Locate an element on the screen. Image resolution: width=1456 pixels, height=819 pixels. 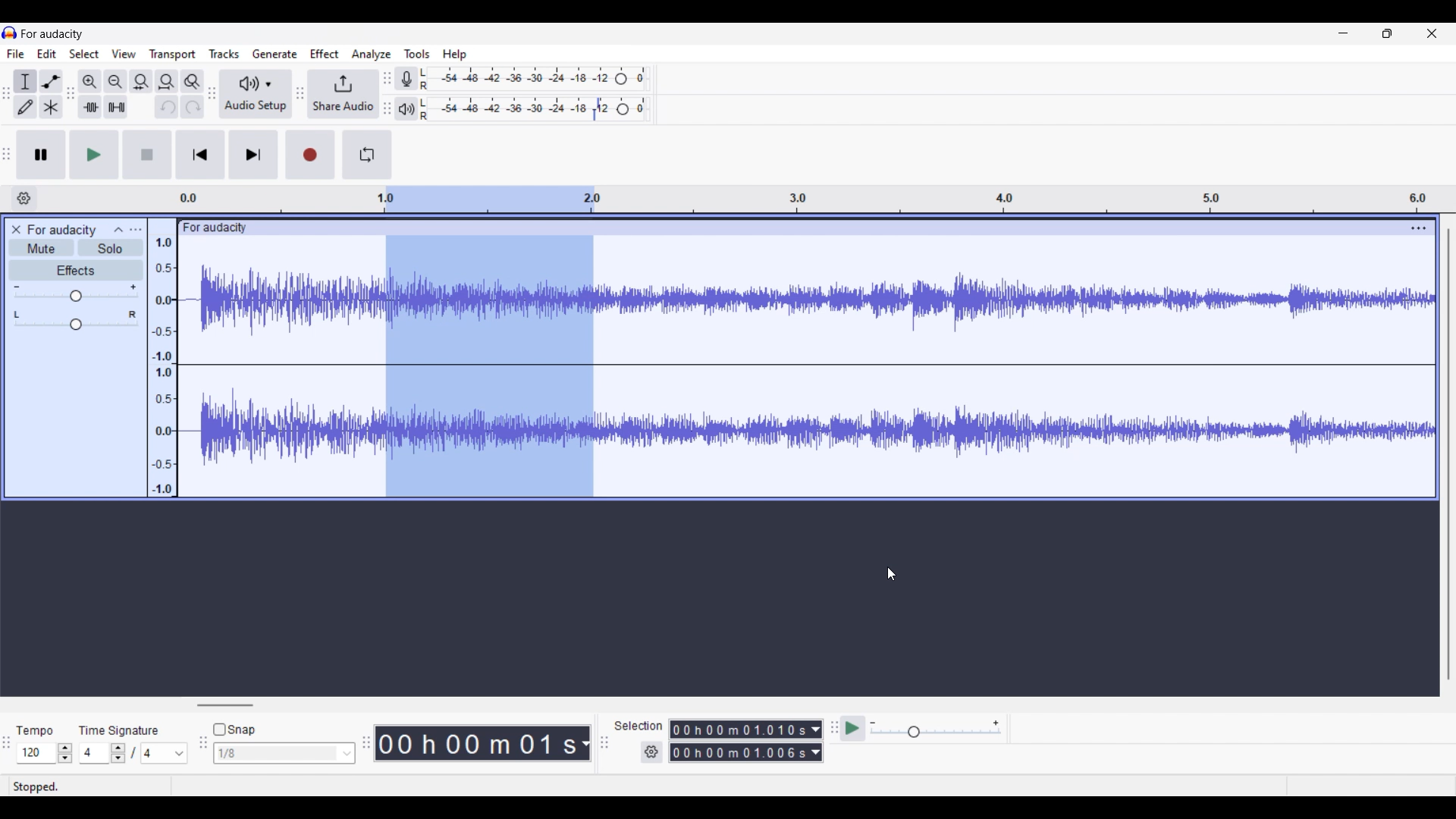
Scale to measure length of track is located at coordinates (1026, 199).